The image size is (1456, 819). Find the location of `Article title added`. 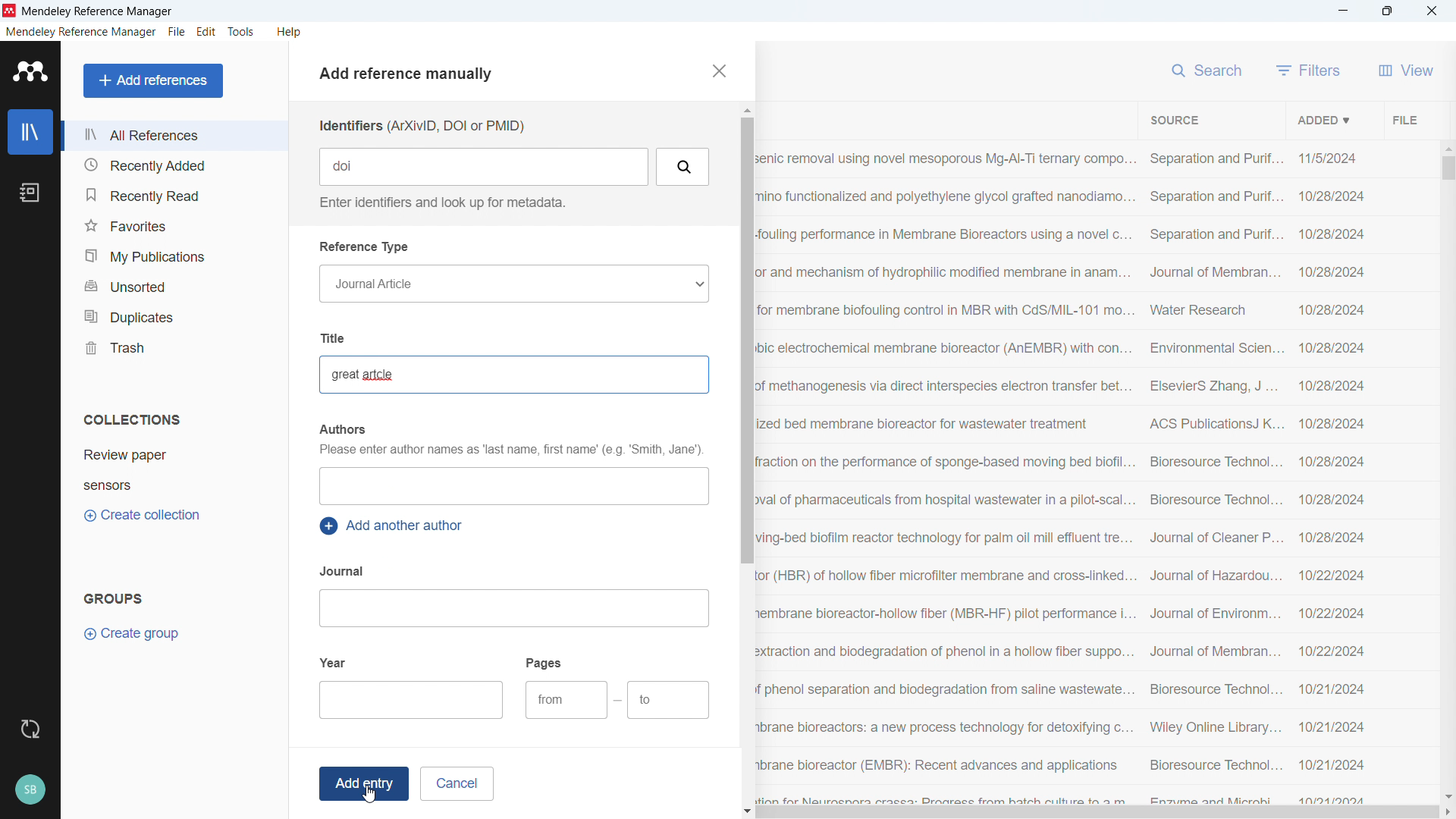

Article title added is located at coordinates (364, 375).